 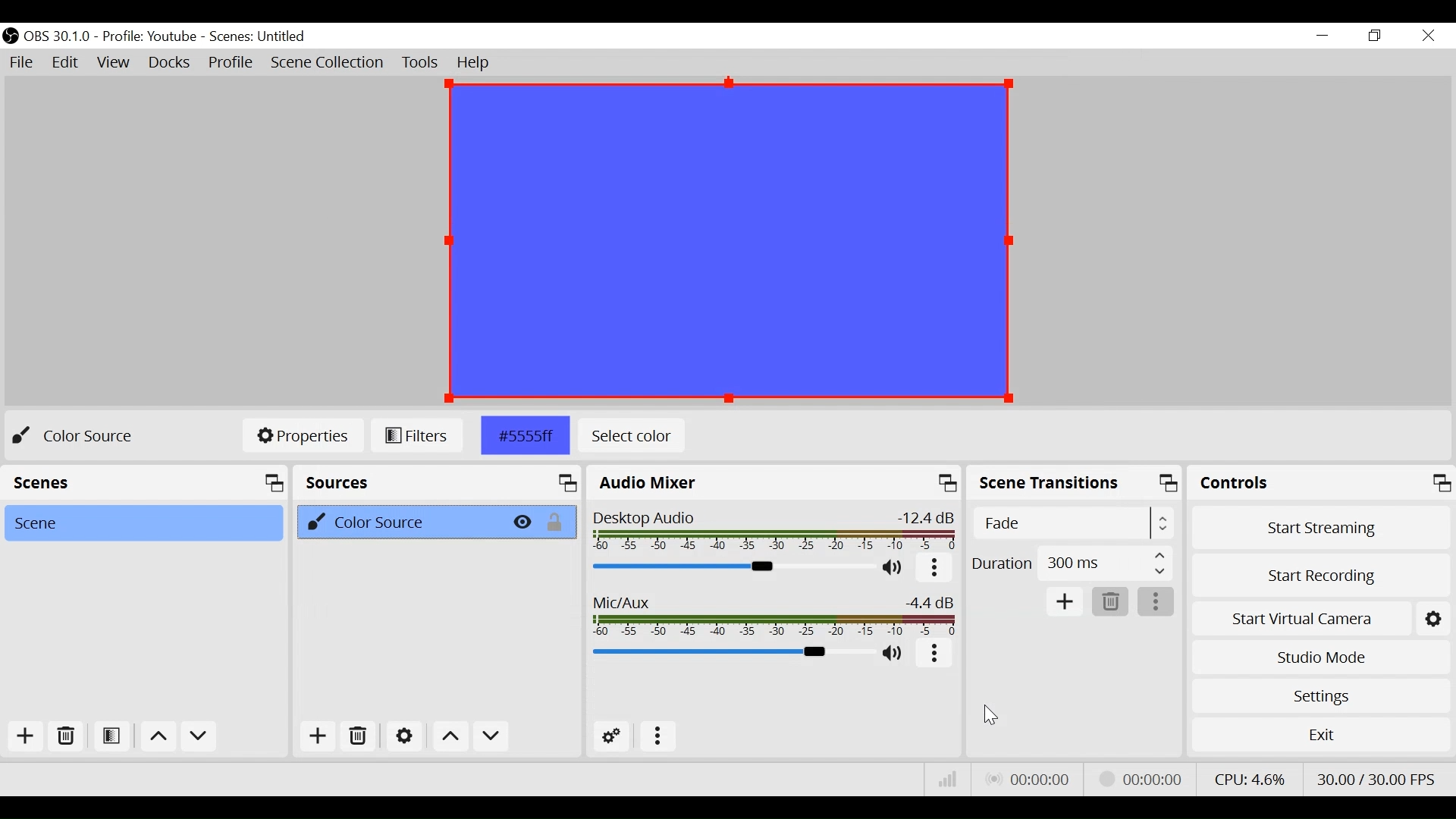 What do you see at coordinates (157, 736) in the screenshot?
I see `move up` at bounding box center [157, 736].